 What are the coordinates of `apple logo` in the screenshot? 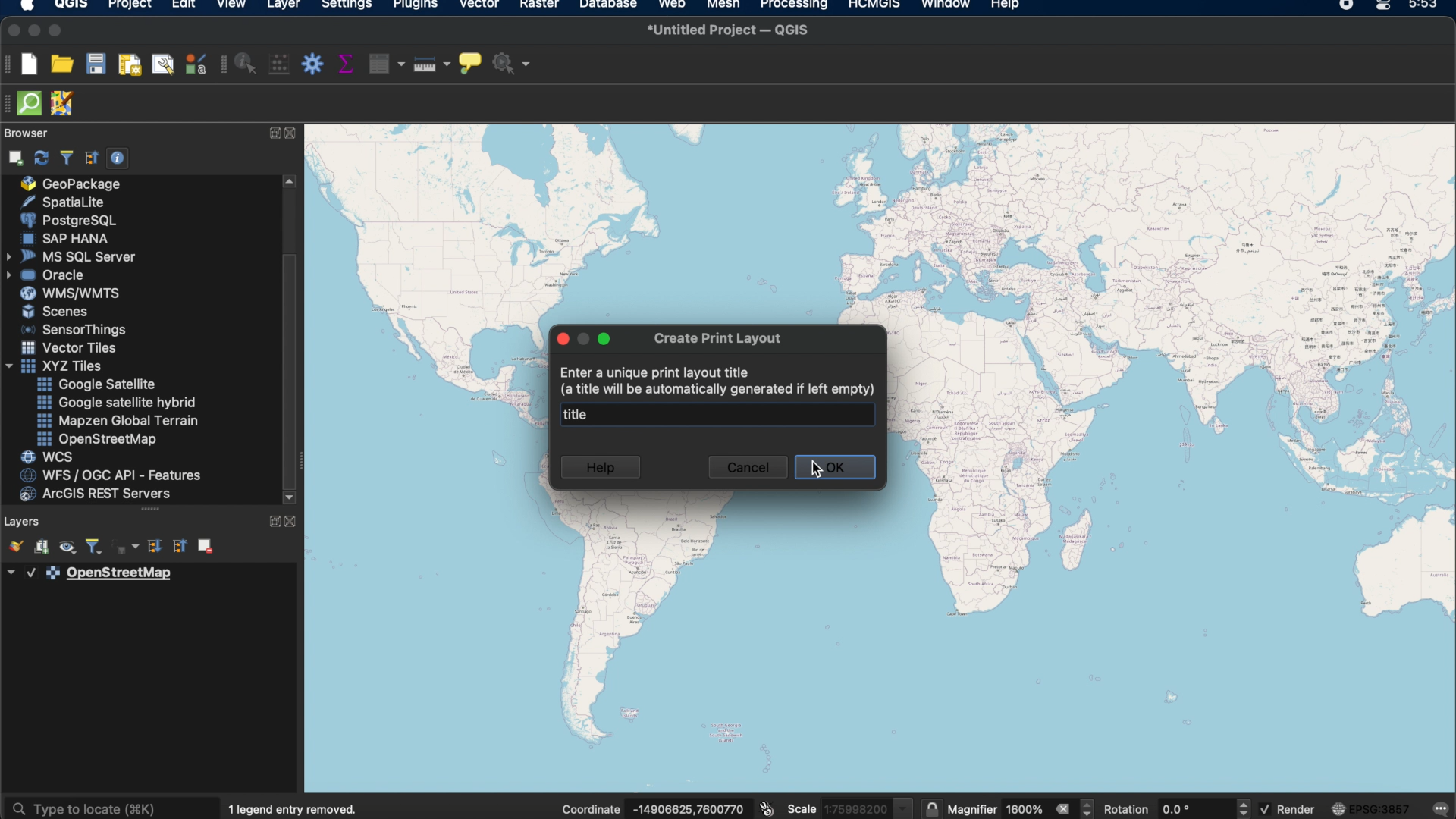 It's located at (27, 6).